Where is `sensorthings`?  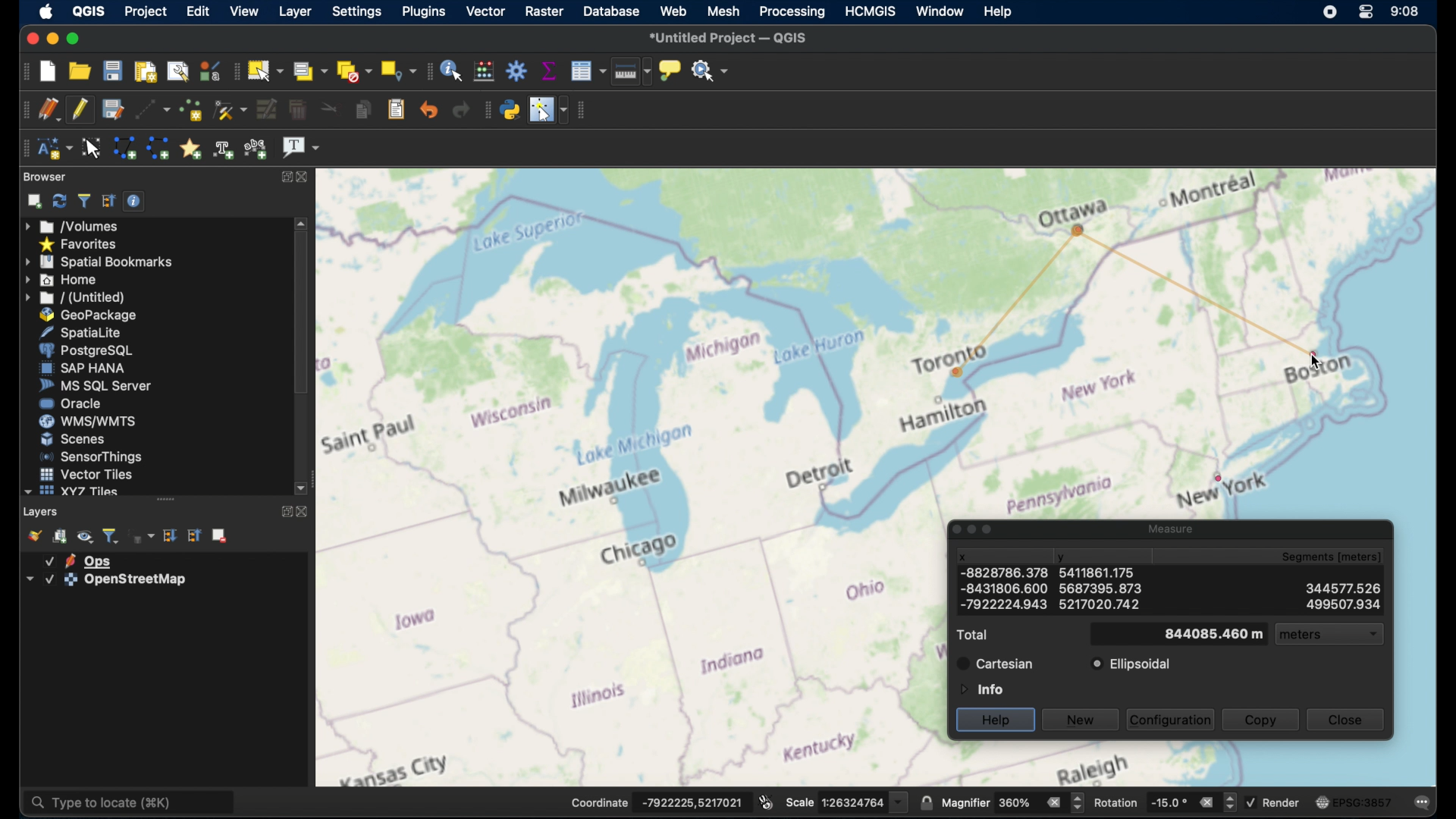
sensorthings is located at coordinates (92, 457).